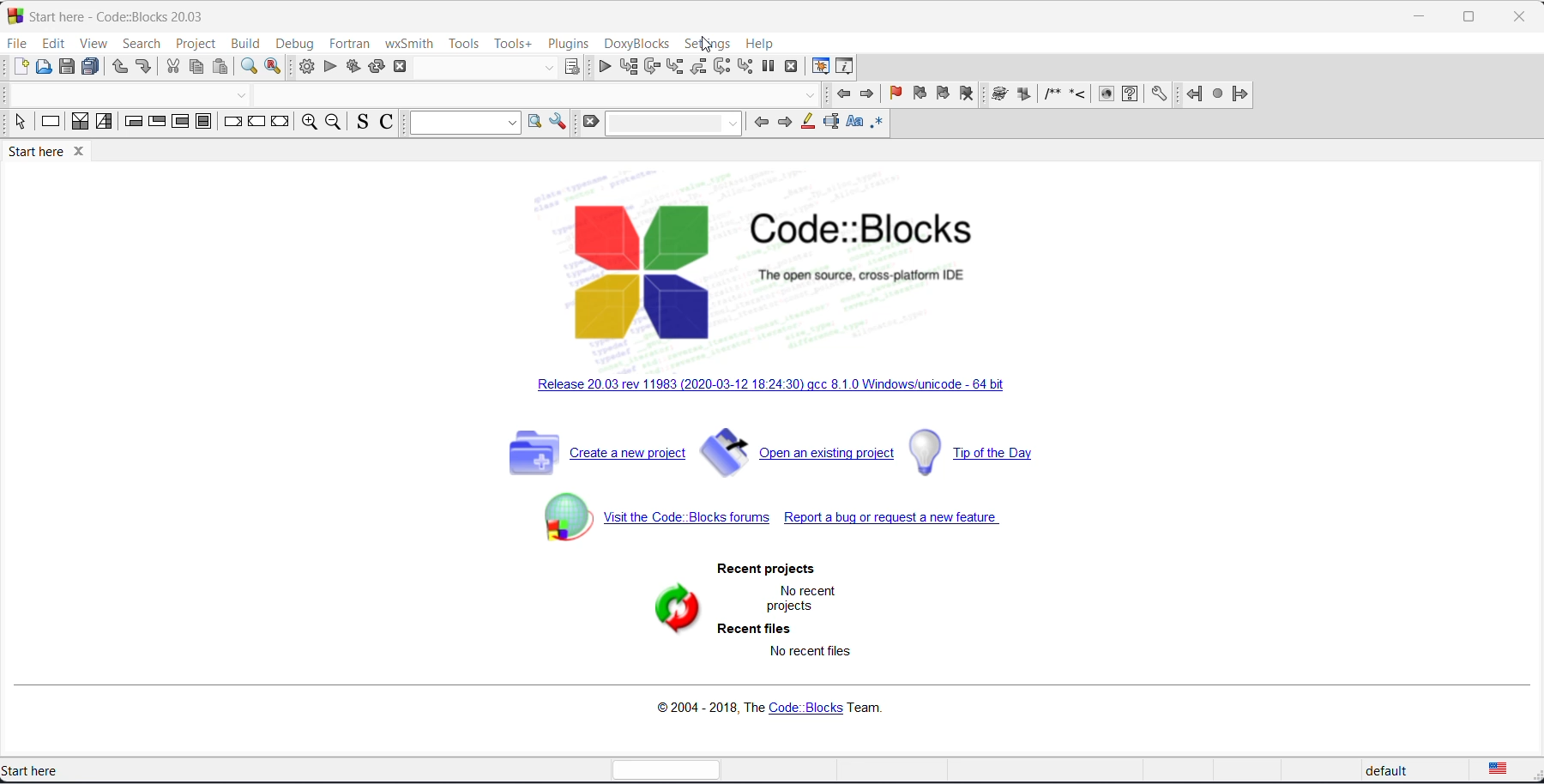 The width and height of the screenshot is (1544, 784). Describe the element at coordinates (981, 454) in the screenshot. I see `tip of the day` at that location.